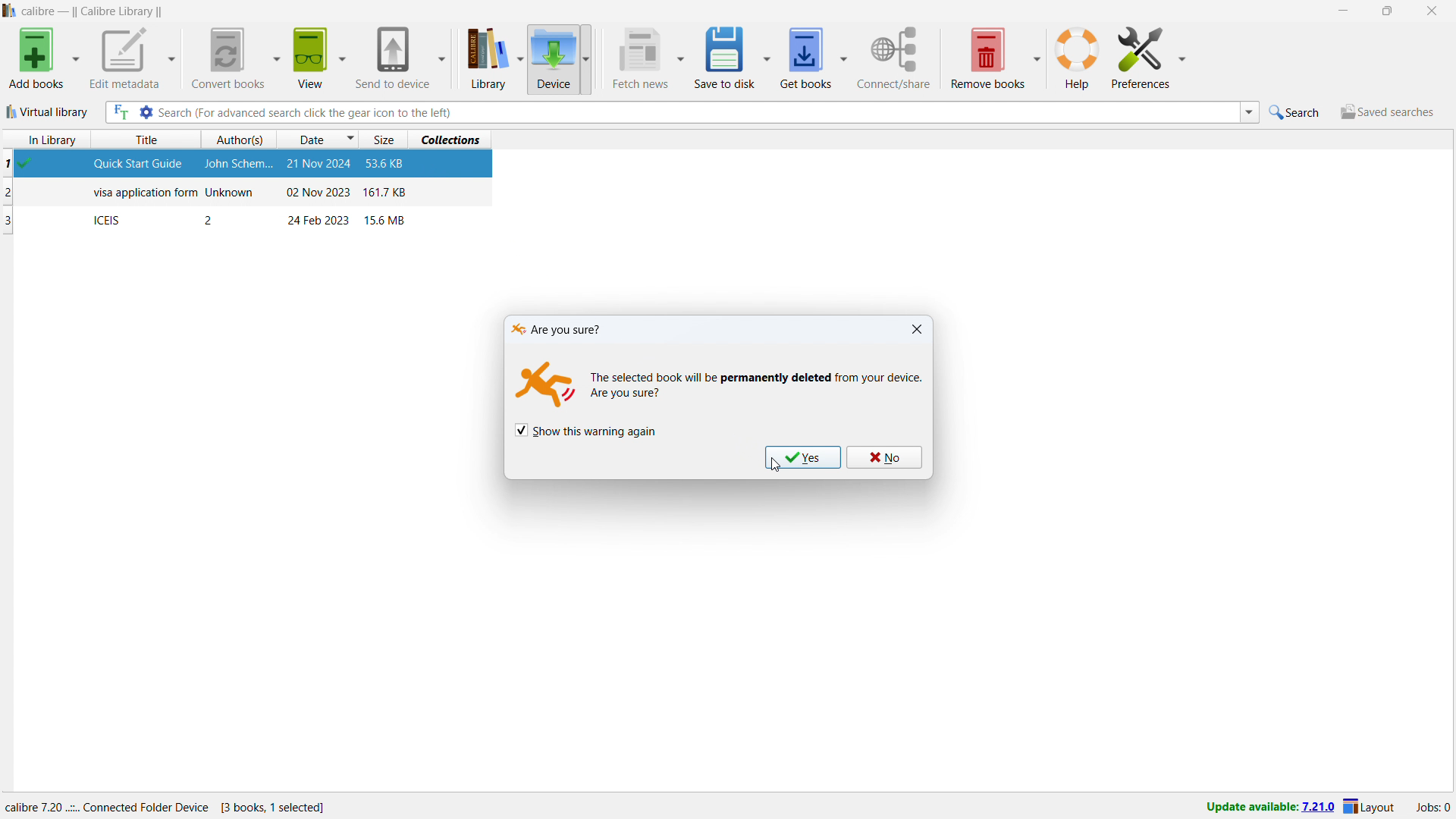 The height and width of the screenshot is (819, 1456). I want to click on fetch news options, so click(681, 60).